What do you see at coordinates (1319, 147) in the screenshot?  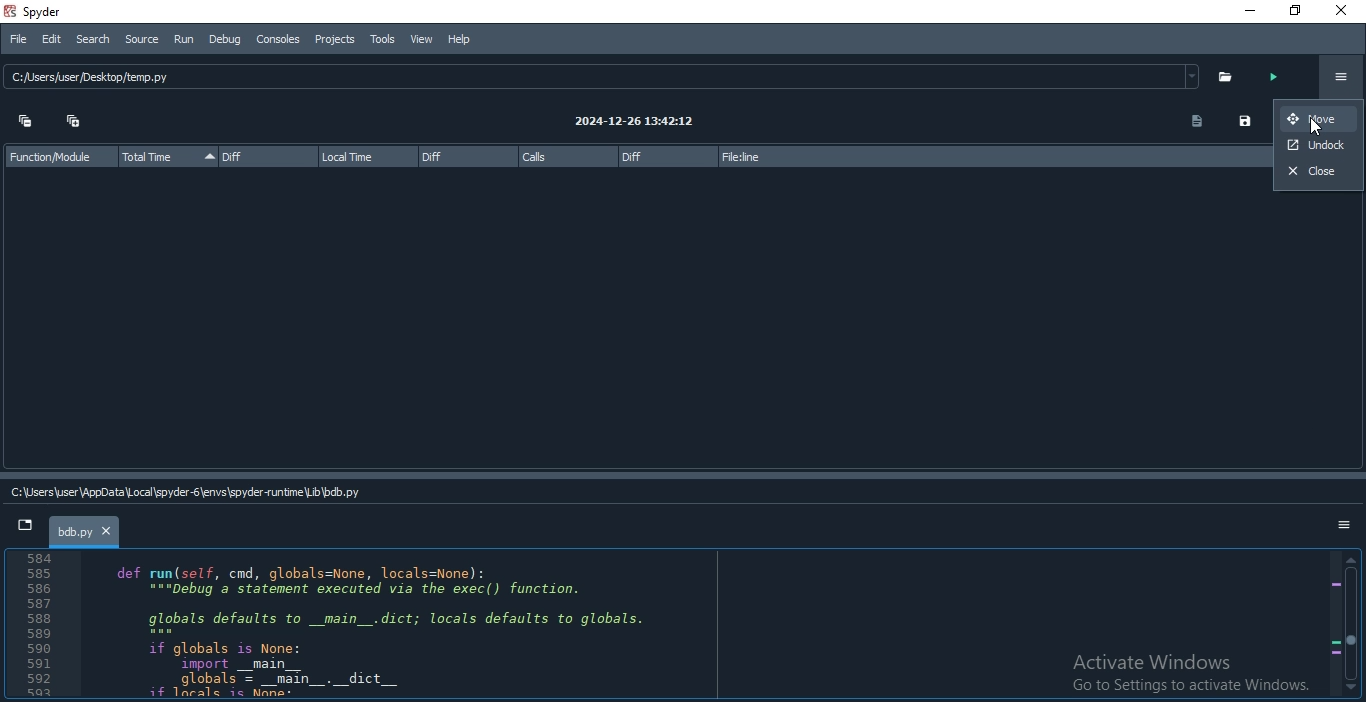 I see `undock` at bounding box center [1319, 147].